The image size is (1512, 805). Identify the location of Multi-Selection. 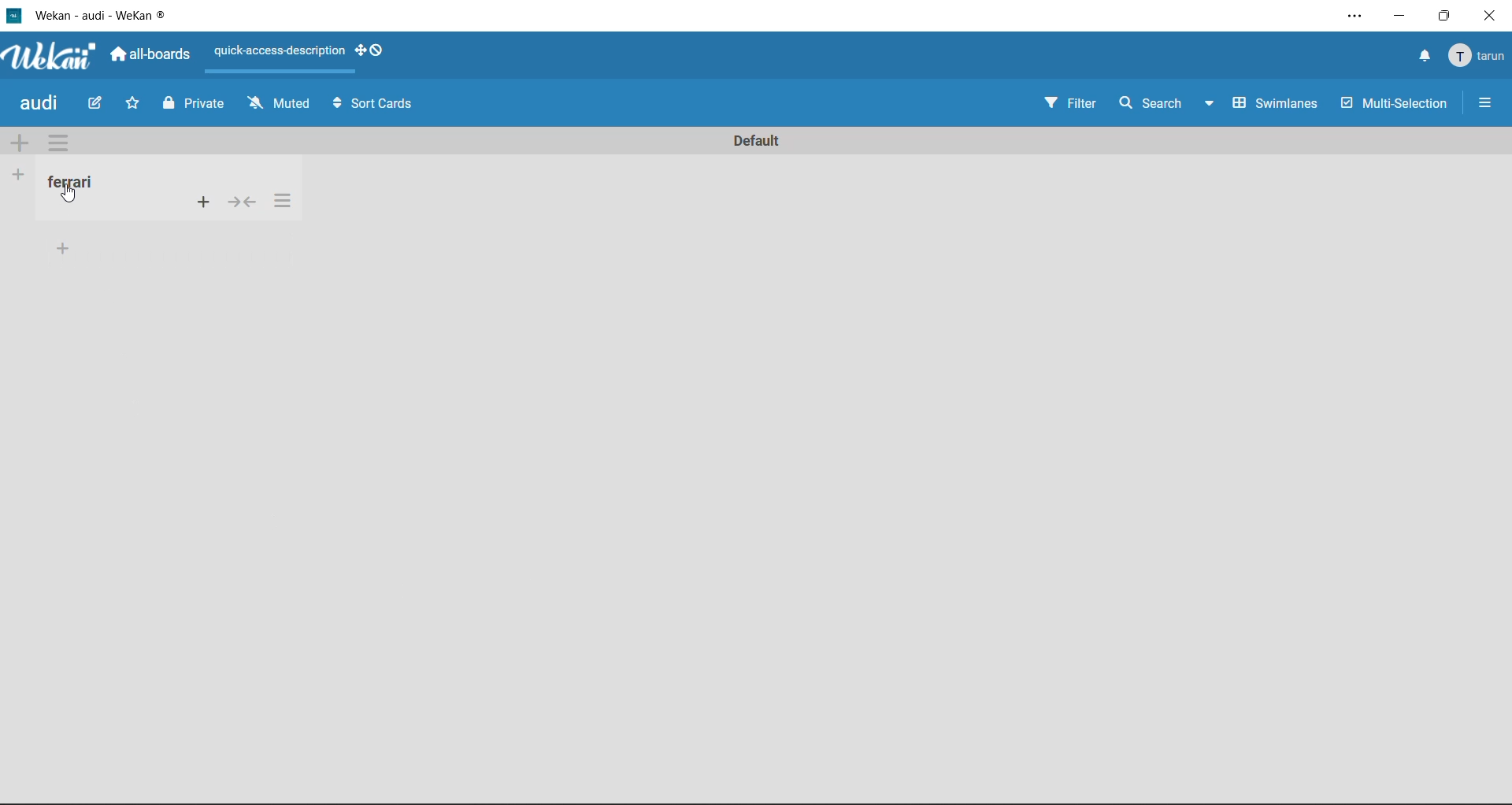
(1397, 106).